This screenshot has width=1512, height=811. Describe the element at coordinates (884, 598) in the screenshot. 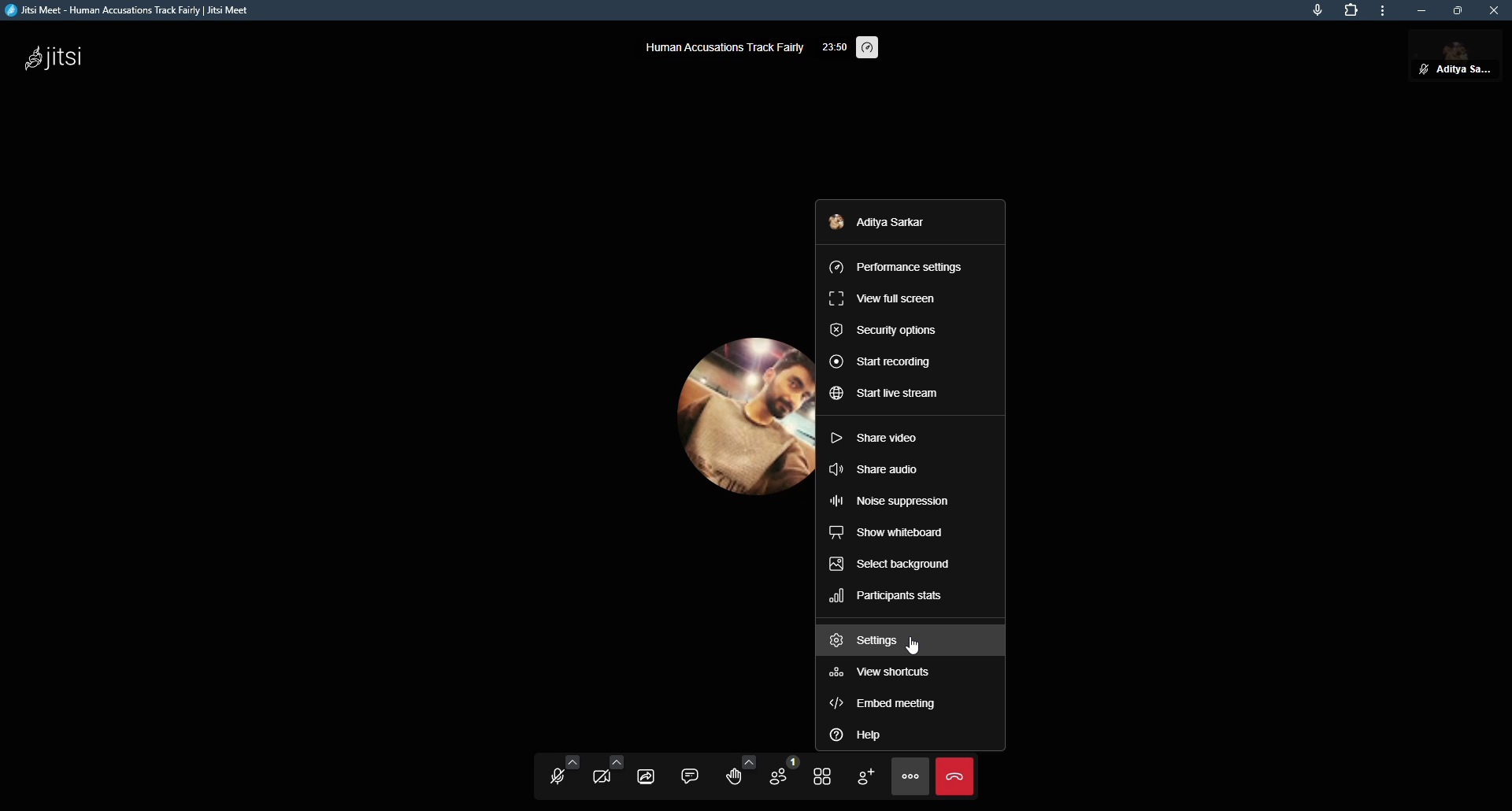

I see `participants stats` at that location.